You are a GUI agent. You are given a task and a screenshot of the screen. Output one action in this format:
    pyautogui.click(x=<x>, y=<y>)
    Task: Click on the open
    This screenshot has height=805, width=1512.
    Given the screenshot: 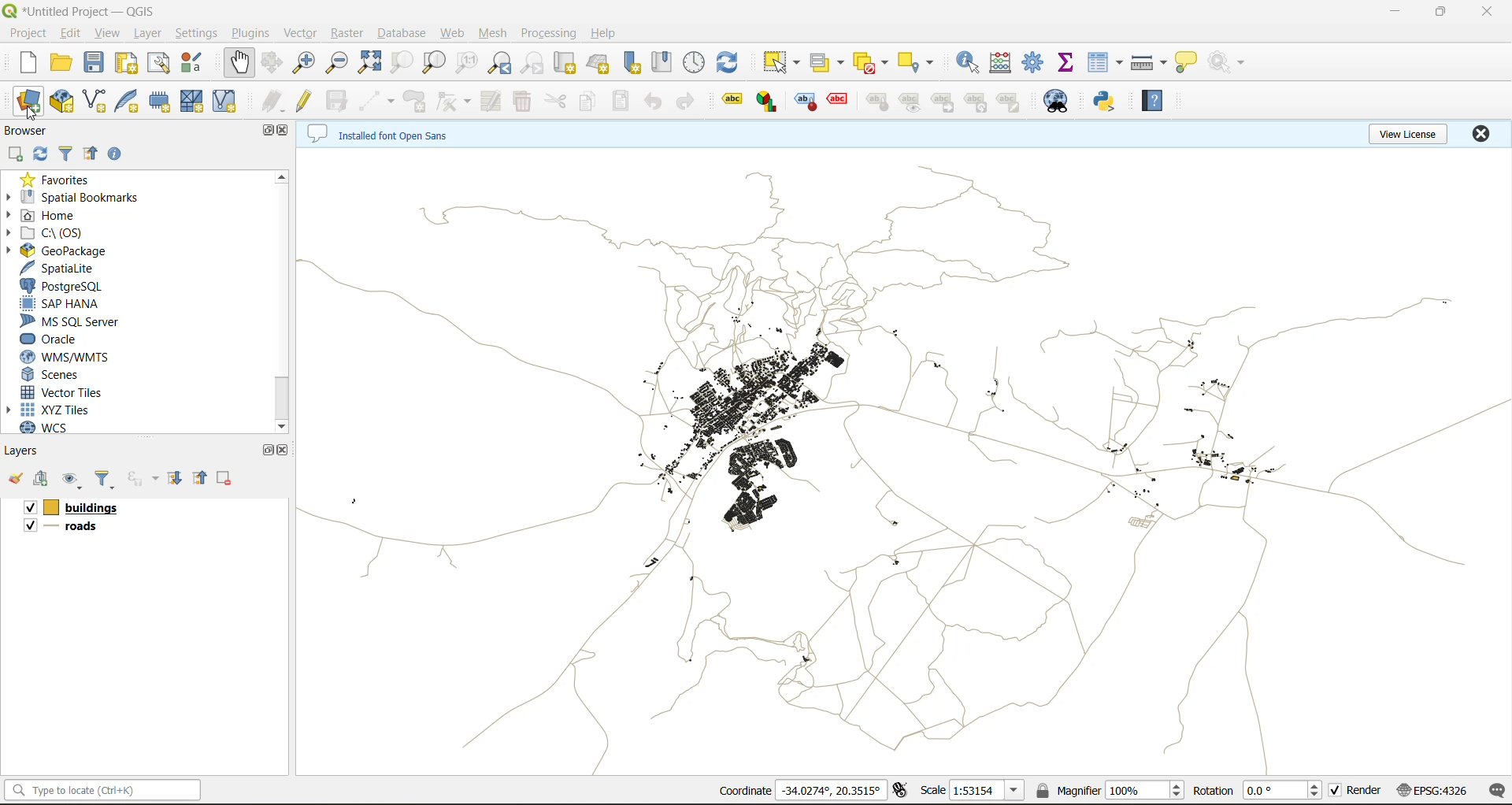 What is the action you would take?
    pyautogui.click(x=15, y=479)
    